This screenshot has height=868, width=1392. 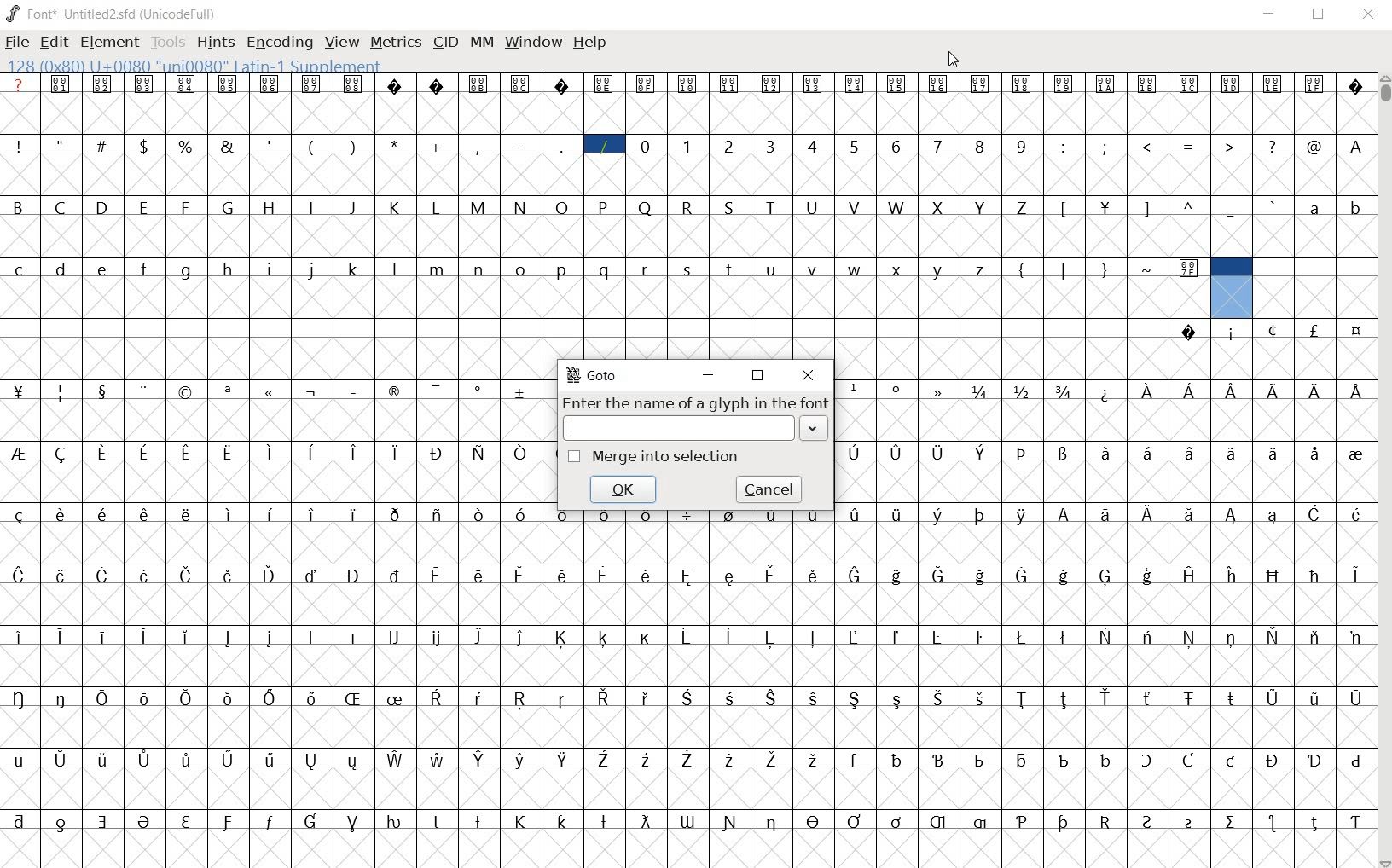 I want to click on Minimize, so click(x=1270, y=15).